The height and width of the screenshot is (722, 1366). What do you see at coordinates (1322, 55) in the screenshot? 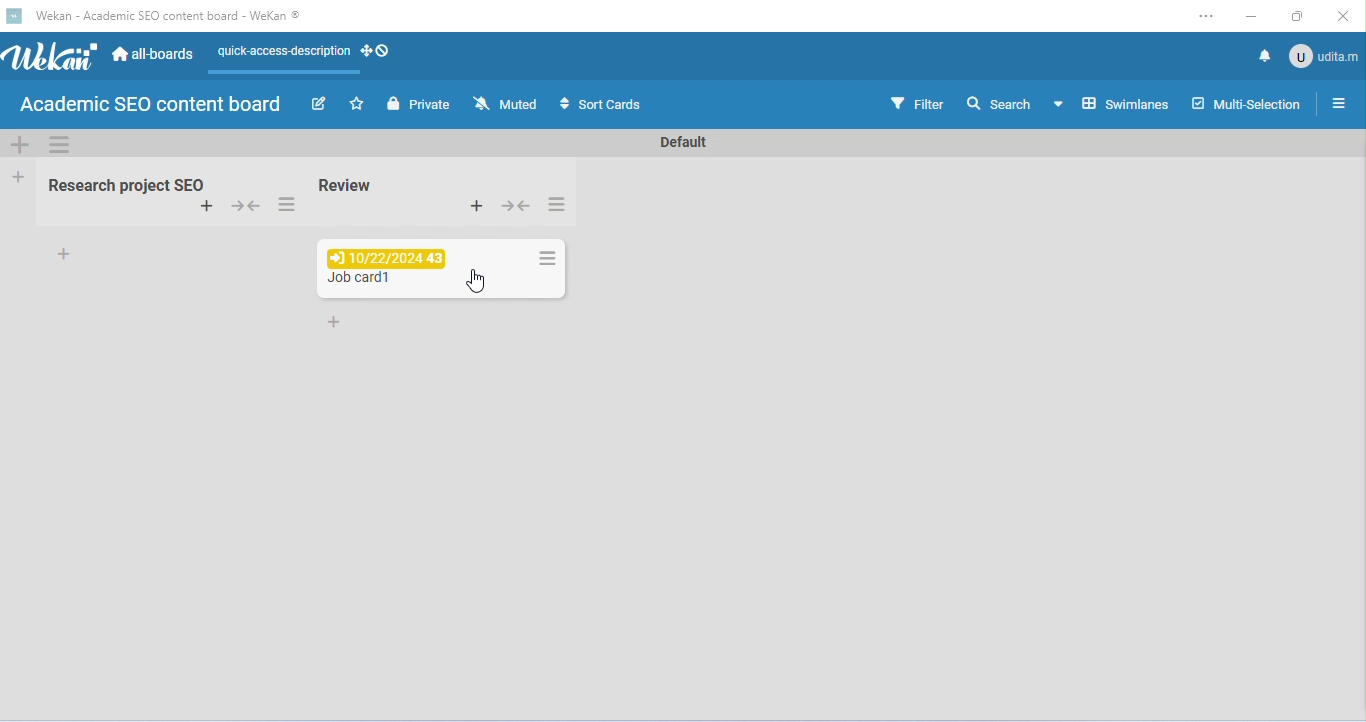
I see `admin` at bounding box center [1322, 55].